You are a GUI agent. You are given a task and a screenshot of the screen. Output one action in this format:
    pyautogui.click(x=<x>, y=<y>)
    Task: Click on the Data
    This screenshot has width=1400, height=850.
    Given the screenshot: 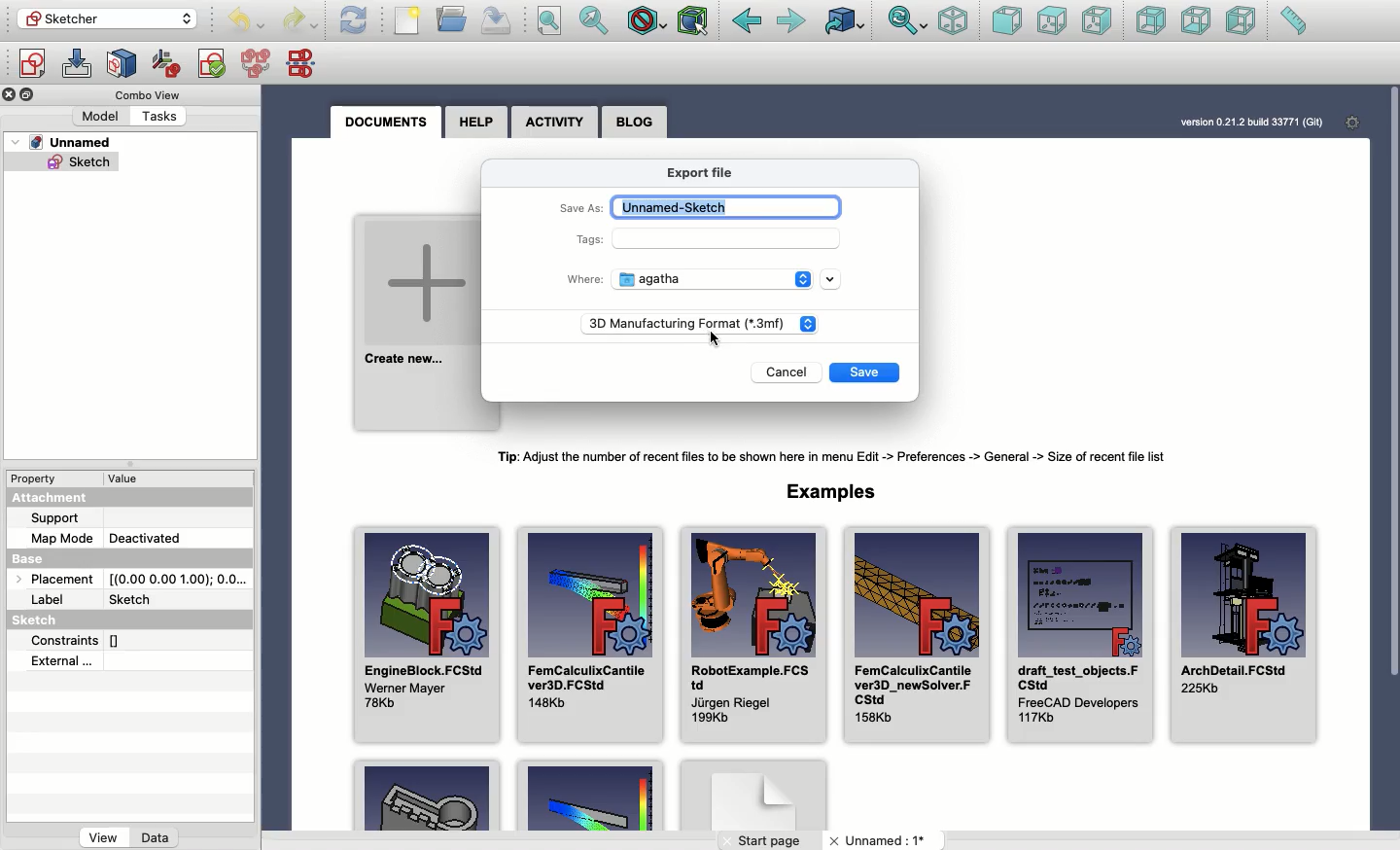 What is the action you would take?
    pyautogui.click(x=156, y=835)
    